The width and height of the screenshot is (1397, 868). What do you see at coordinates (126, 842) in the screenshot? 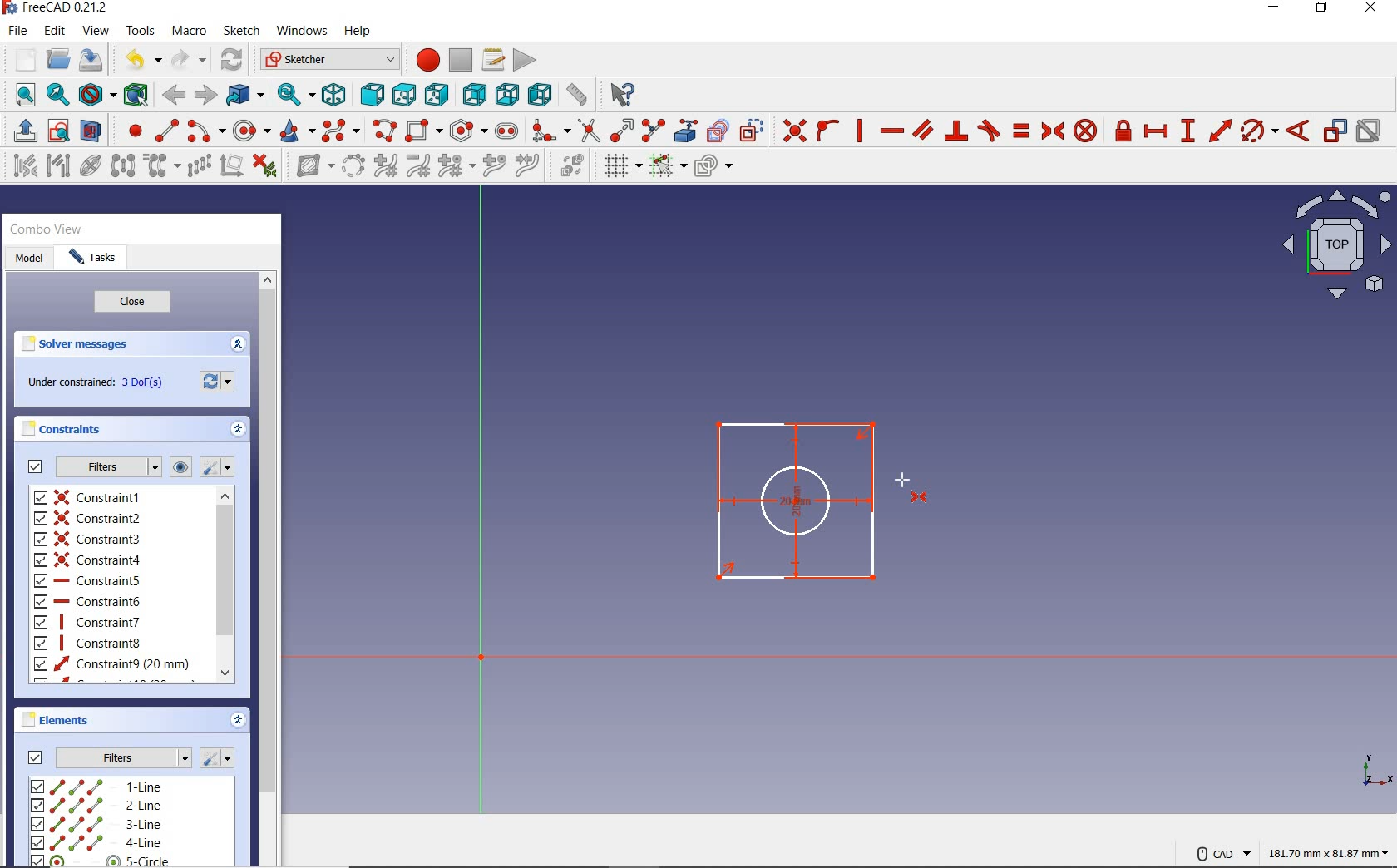
I see `4-line` at bounding box center [126, 842].